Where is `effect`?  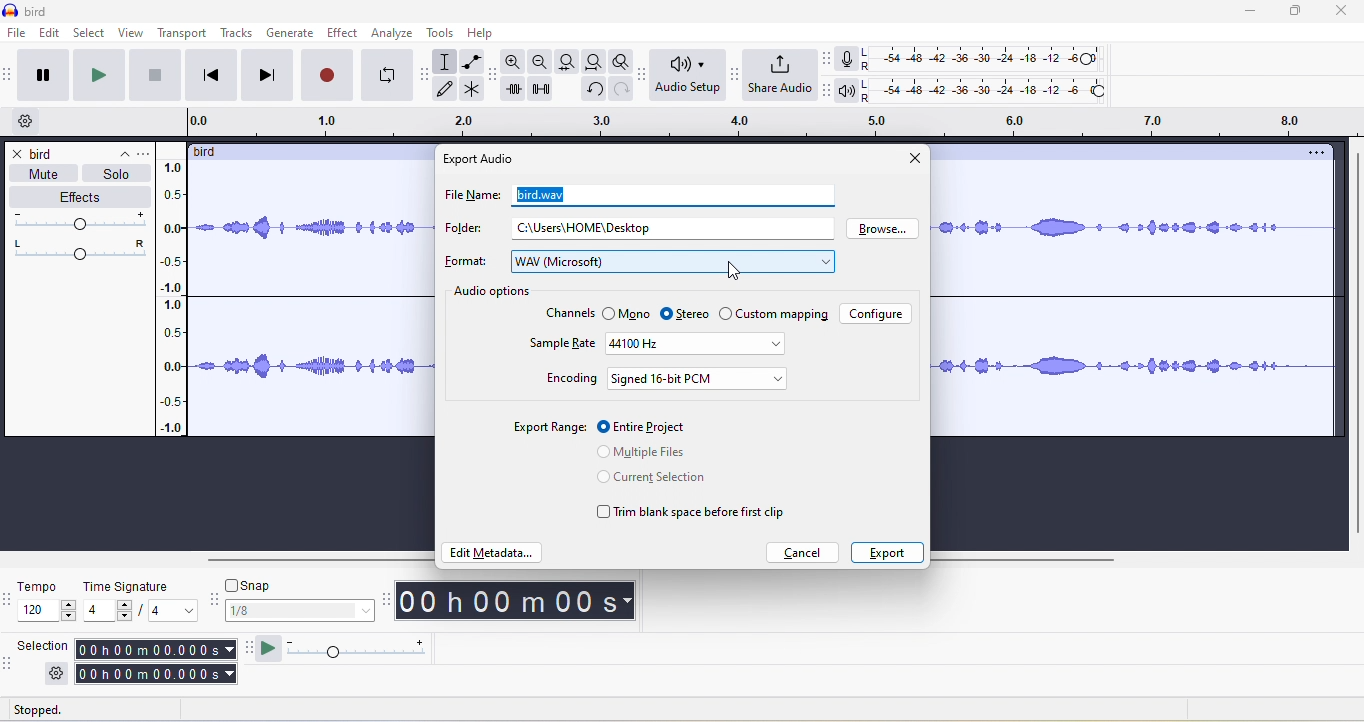
effect is located at coordinates (343, 32).